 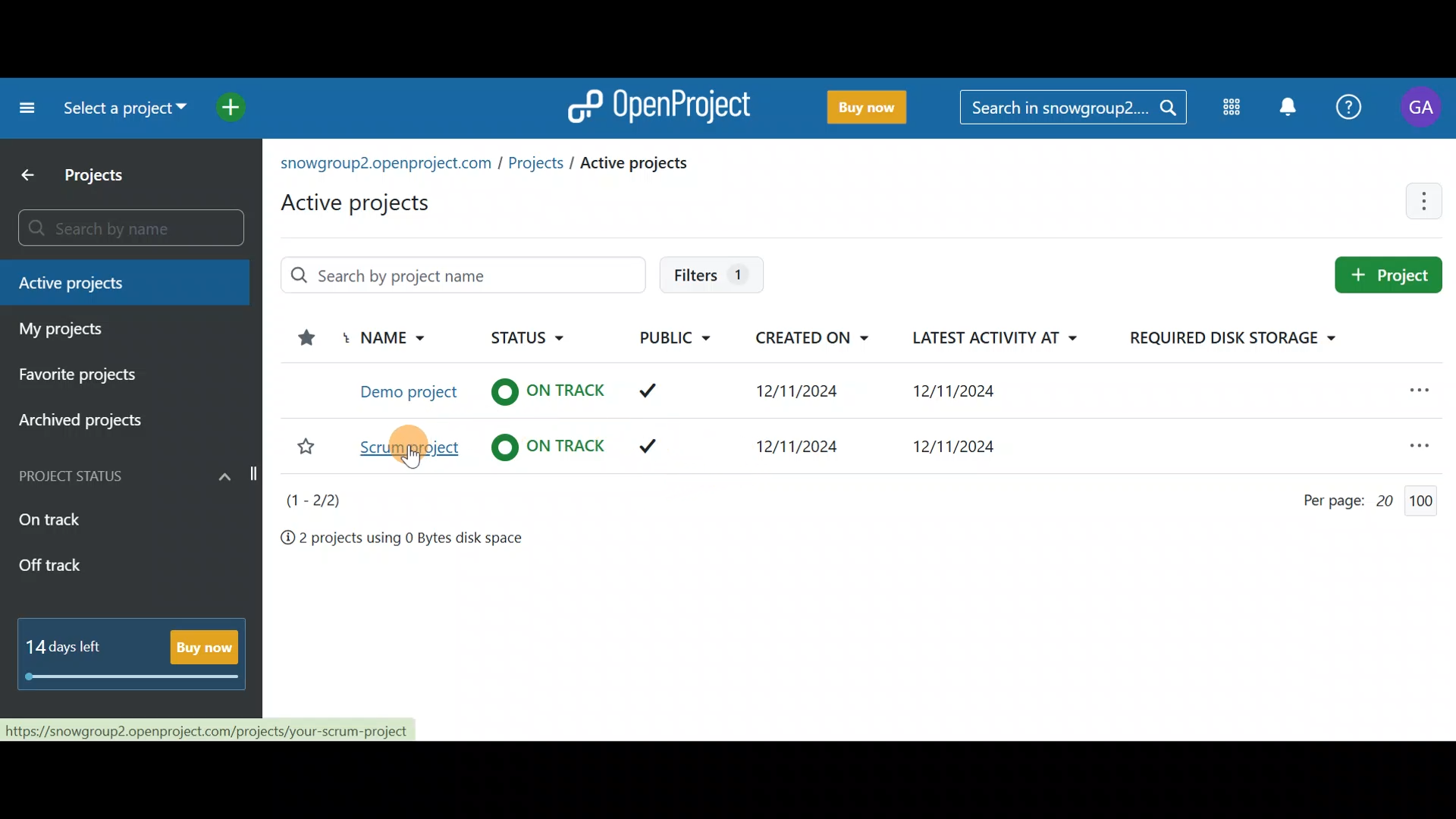 What do you see at coordinates (679, 339) in the screenshot?
I see `Sort by Public` at bounding box center [679, 339].